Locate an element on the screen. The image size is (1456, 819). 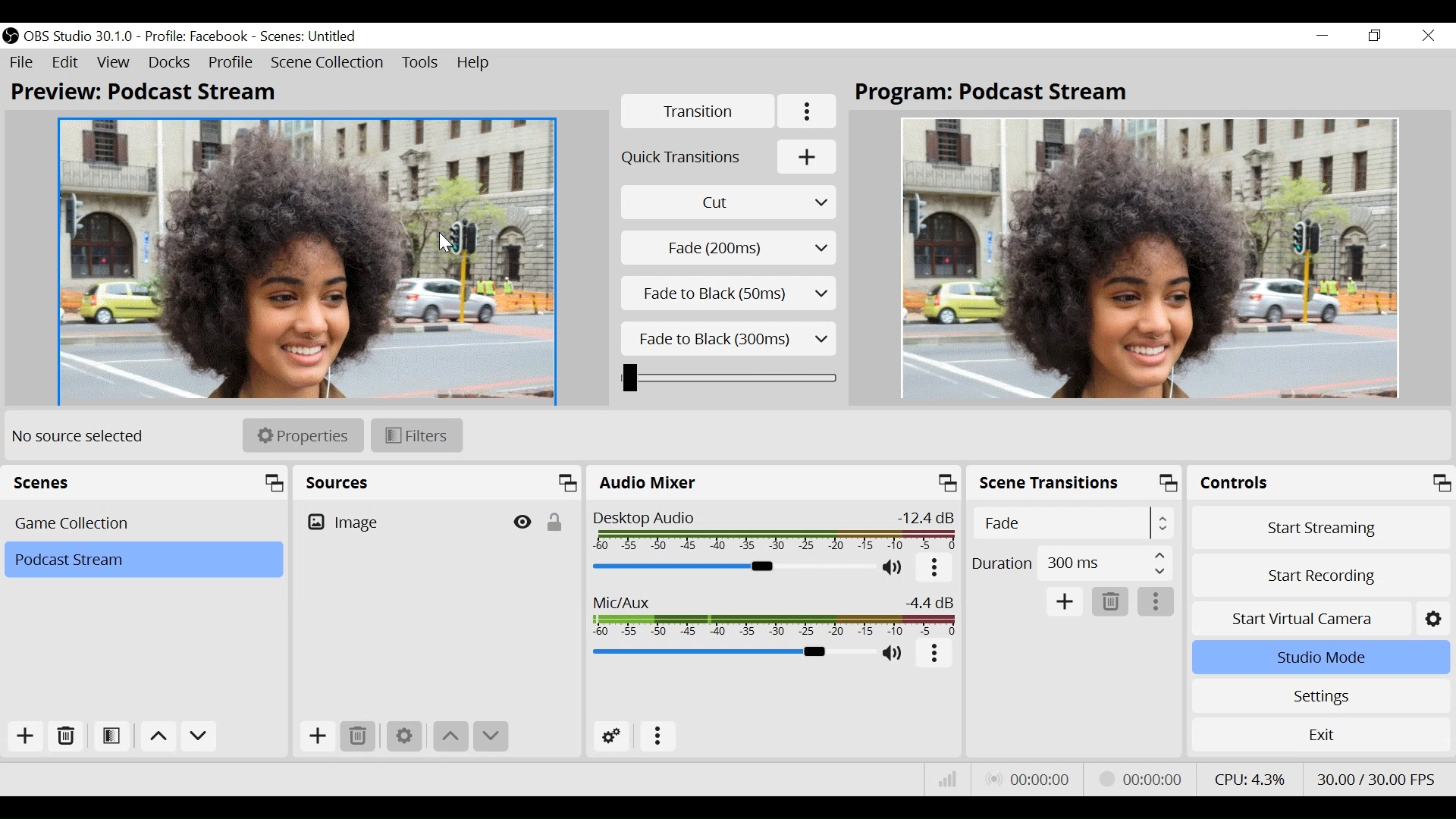
Transition is located at coordinates (698, 111).